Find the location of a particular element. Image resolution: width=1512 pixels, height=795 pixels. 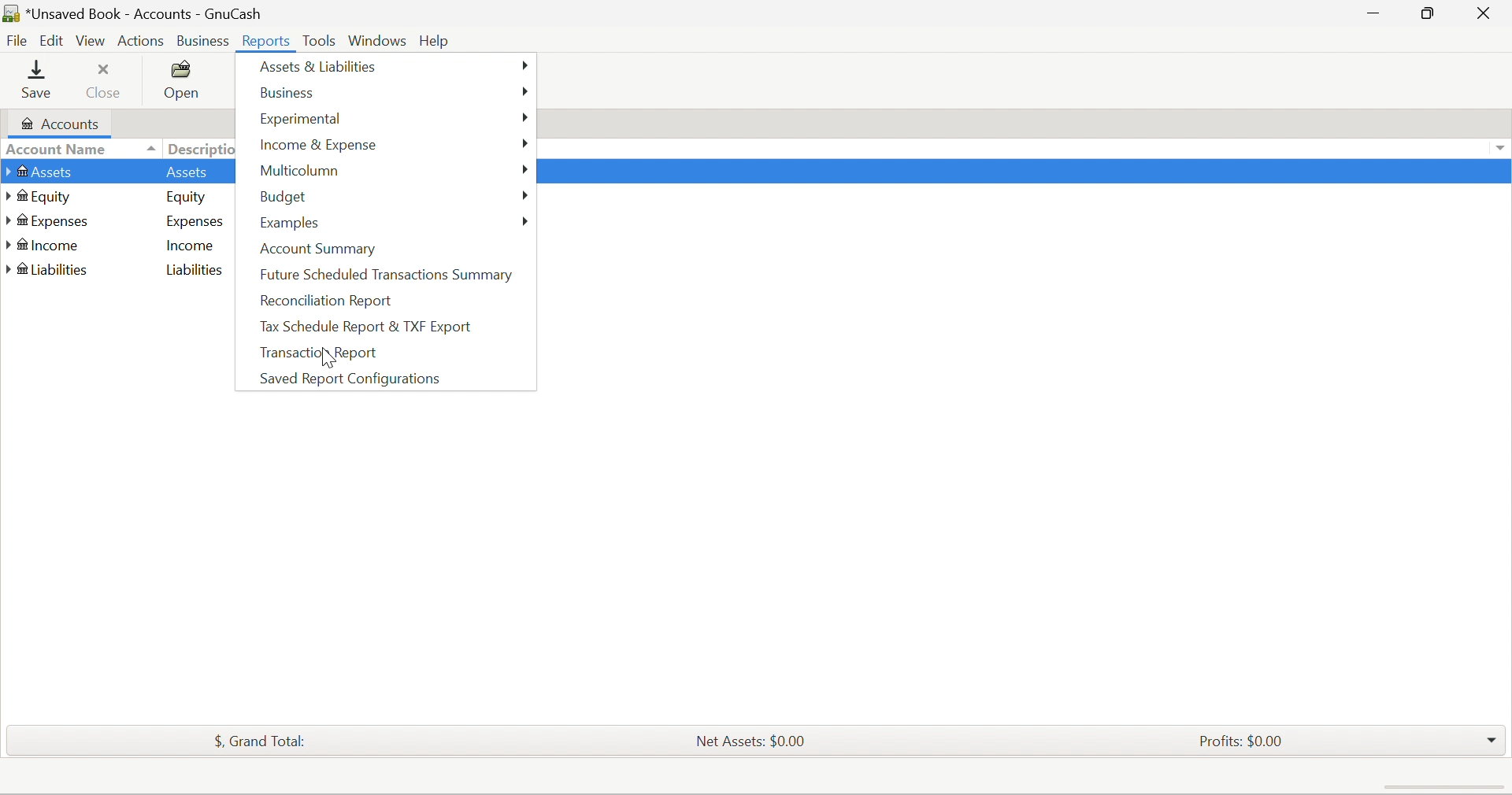

Assets is located at coordinates (39, 173).